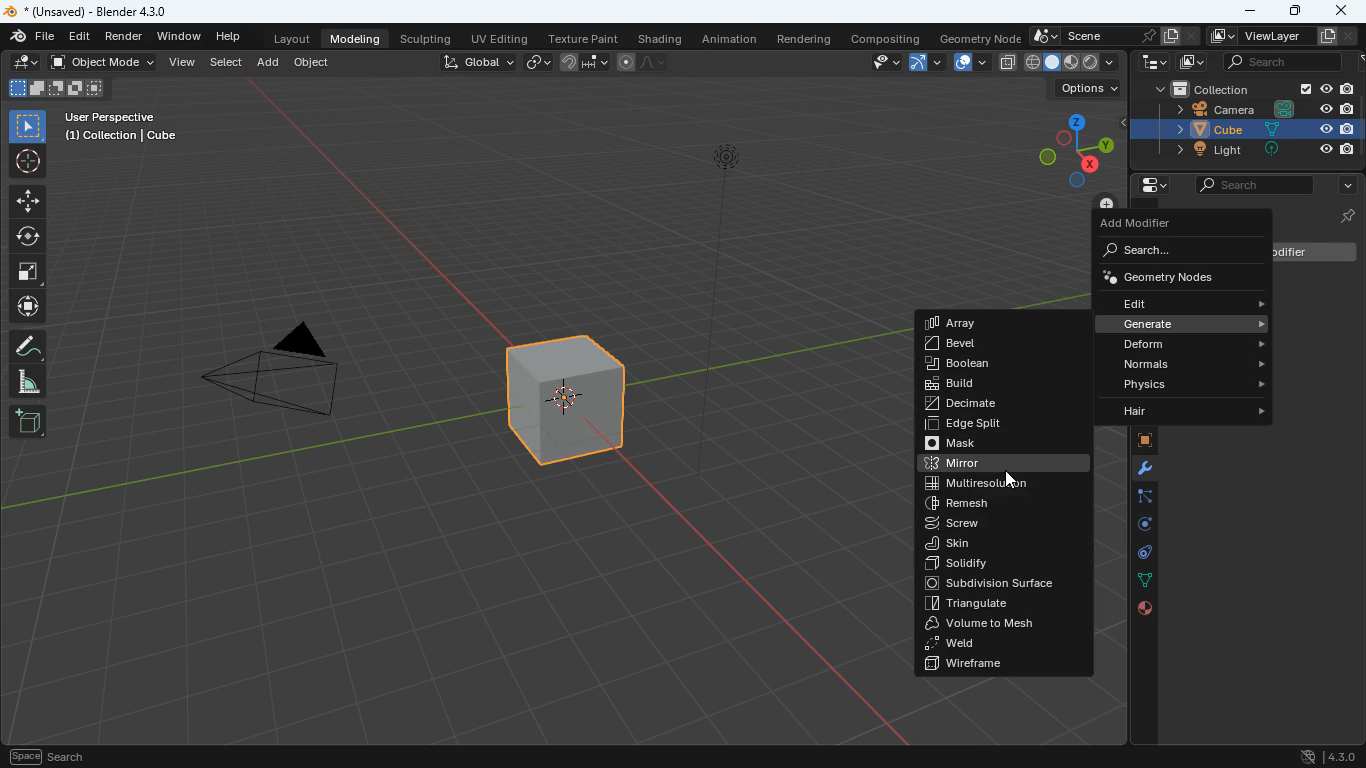 This screenshot has width=1366, height=768. What do you see at coordinates (1190, 324) in the screenshot?
I see `generate` at bounding box center [1190, 324].